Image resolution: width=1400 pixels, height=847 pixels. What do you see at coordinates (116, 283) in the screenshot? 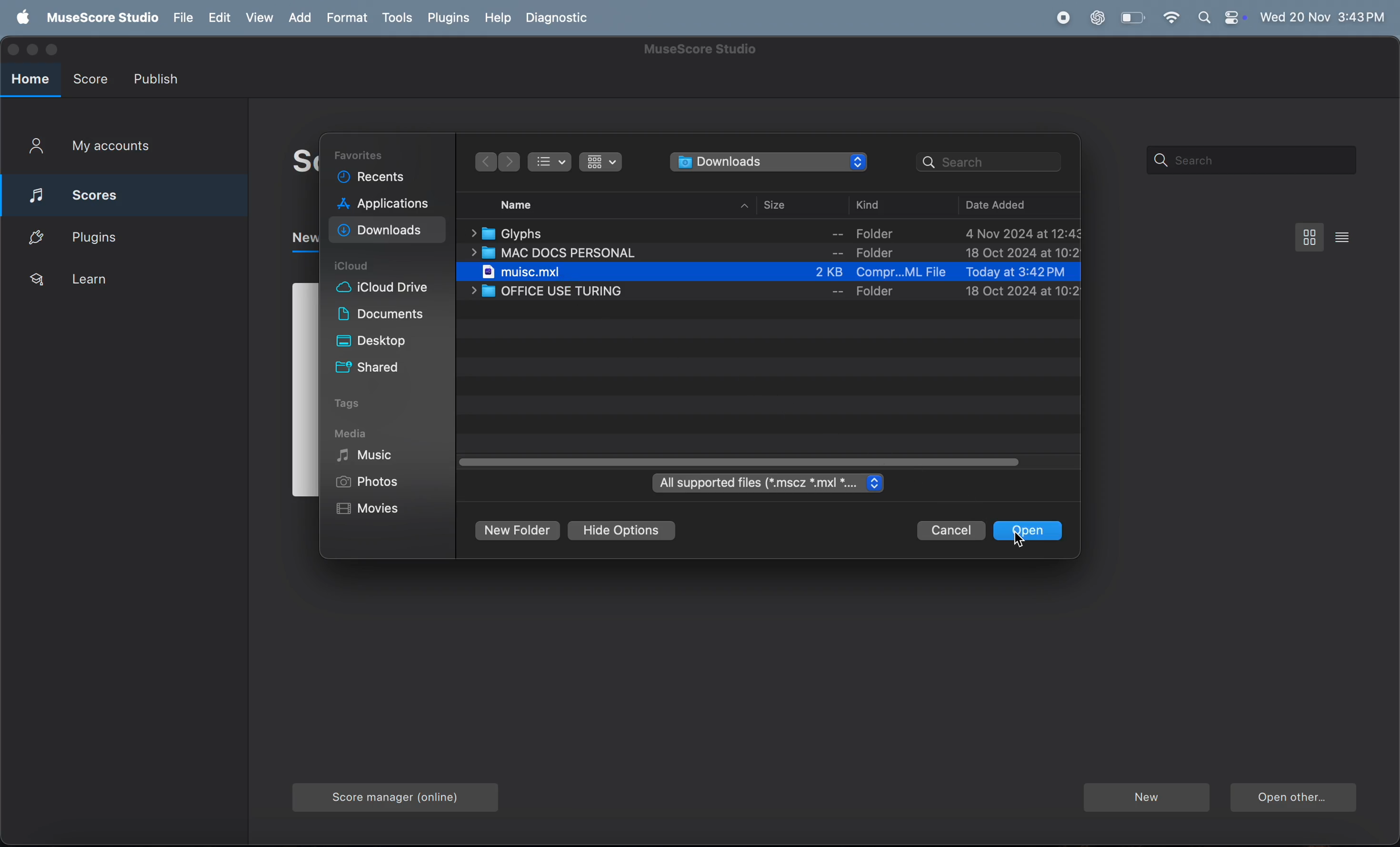
I see `learn` at bounding box center [116, 283].